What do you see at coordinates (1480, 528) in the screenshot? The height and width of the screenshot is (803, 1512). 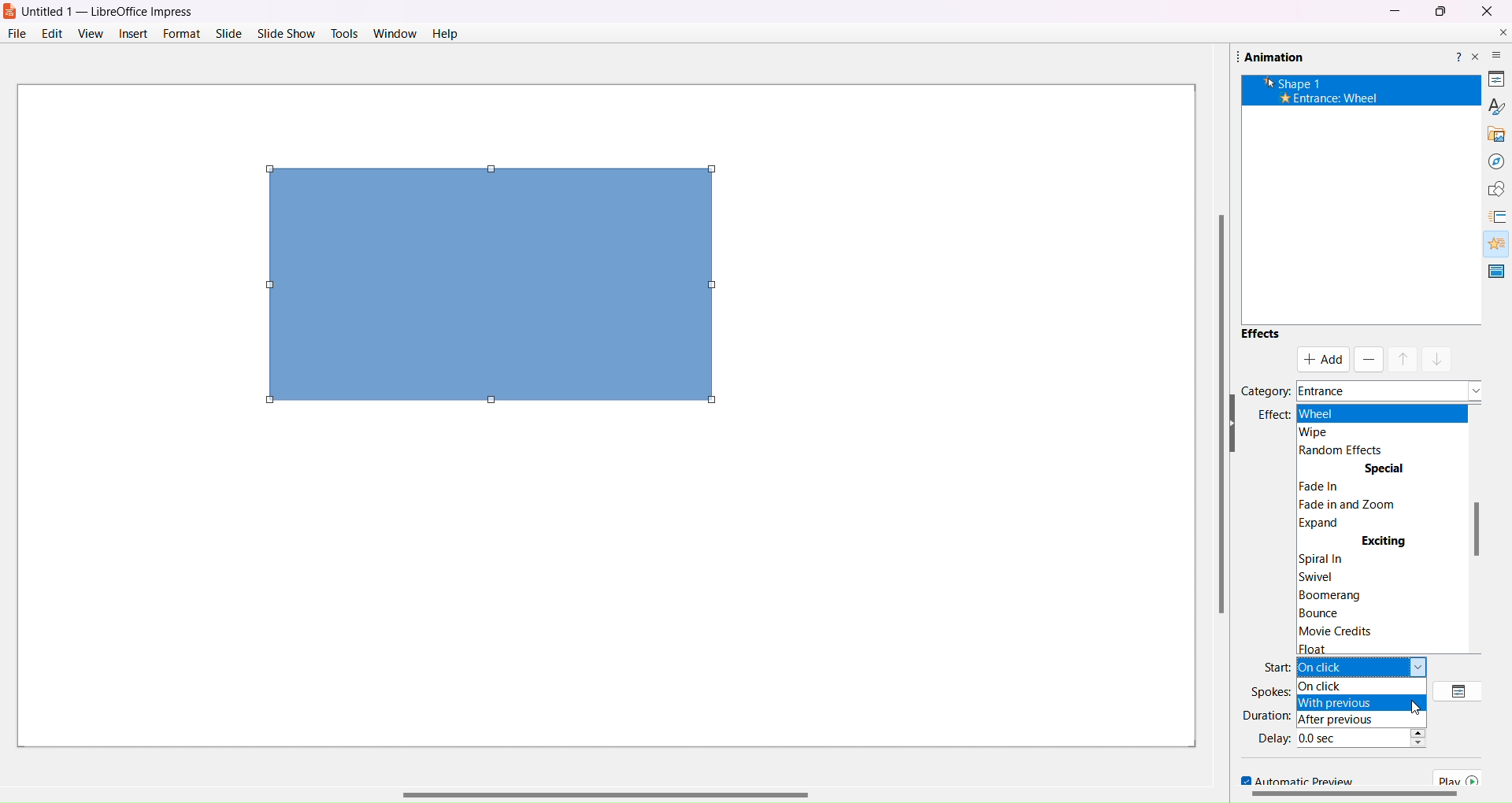 I see `Scroll Bar` at bounding box center [1480, 528].